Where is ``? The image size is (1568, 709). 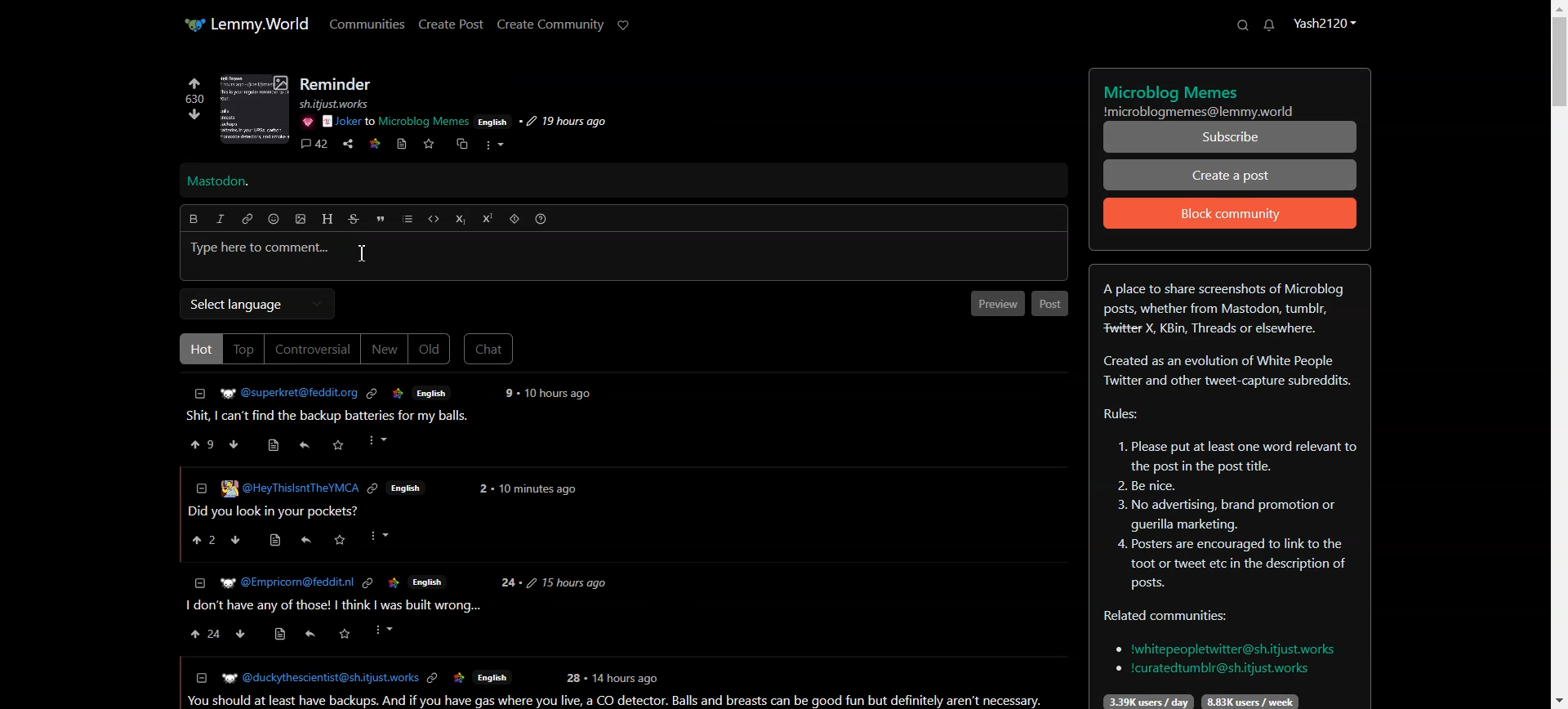
 is located at coordinates (344, 104).